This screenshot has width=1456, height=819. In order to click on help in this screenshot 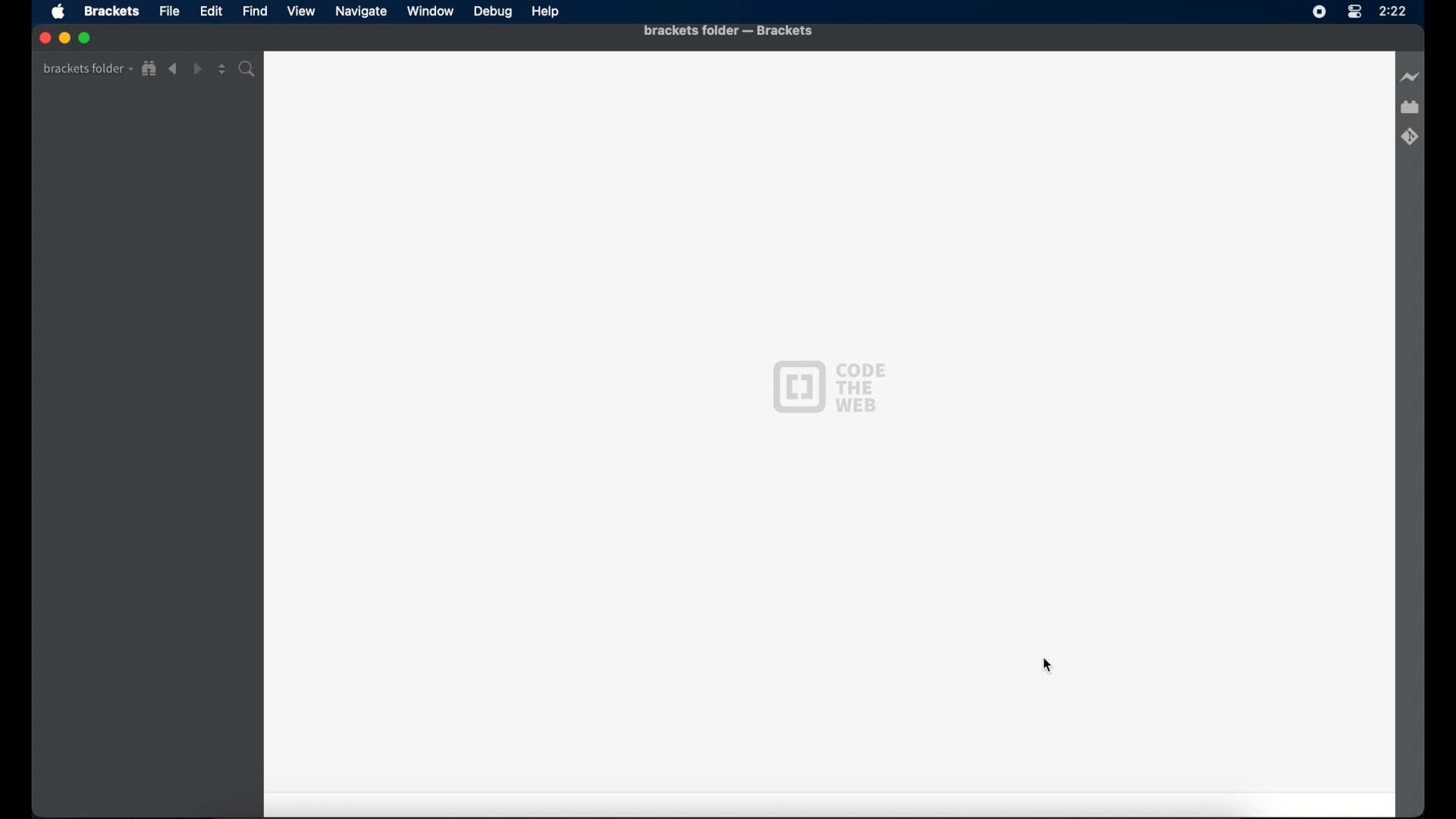, I will do `click(546, 12)`.